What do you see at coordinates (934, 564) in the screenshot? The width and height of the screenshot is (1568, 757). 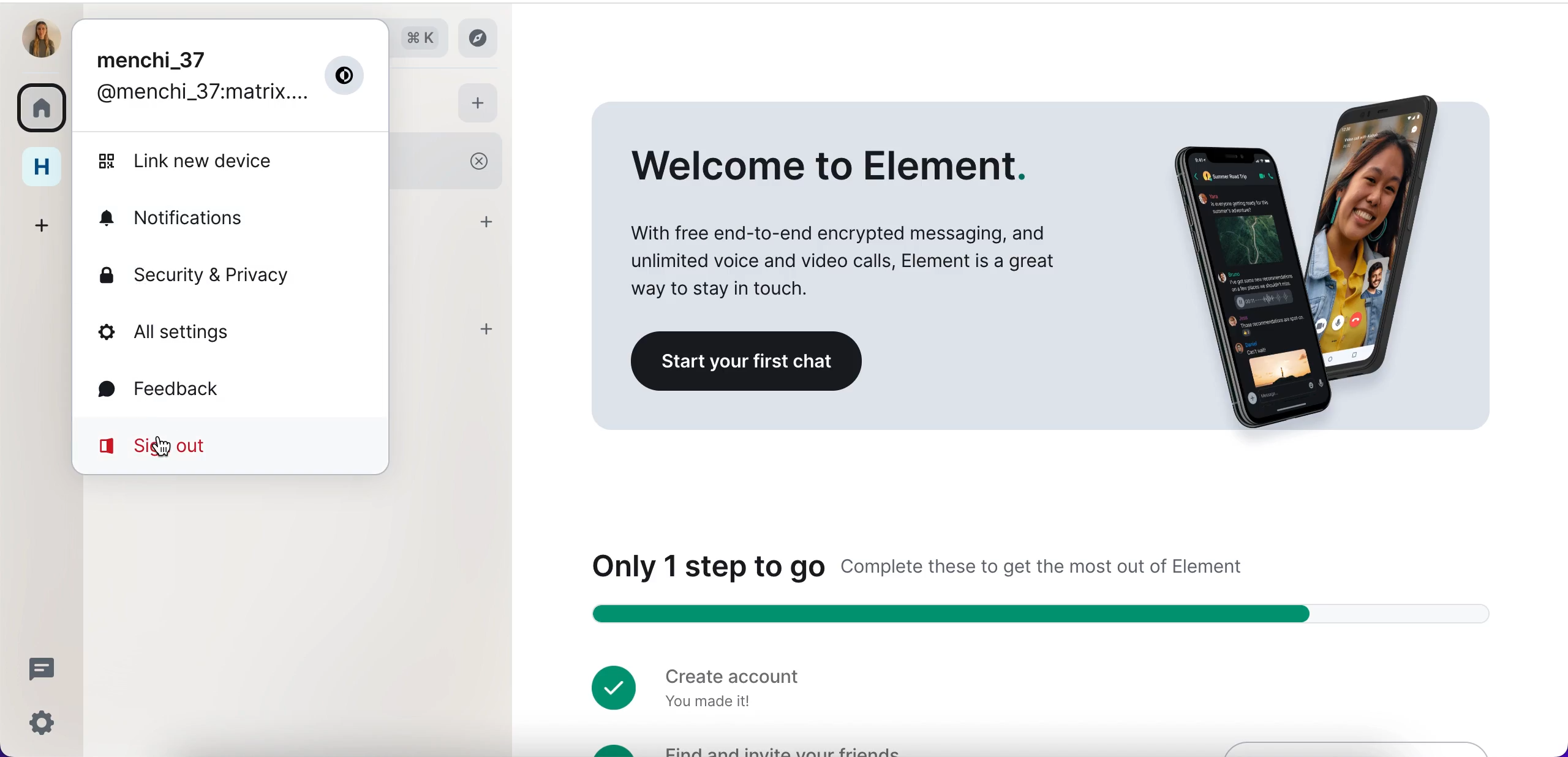 I see `Only 1 step to go Complete these to get the most out of Element` at bounding box center [934, 564].